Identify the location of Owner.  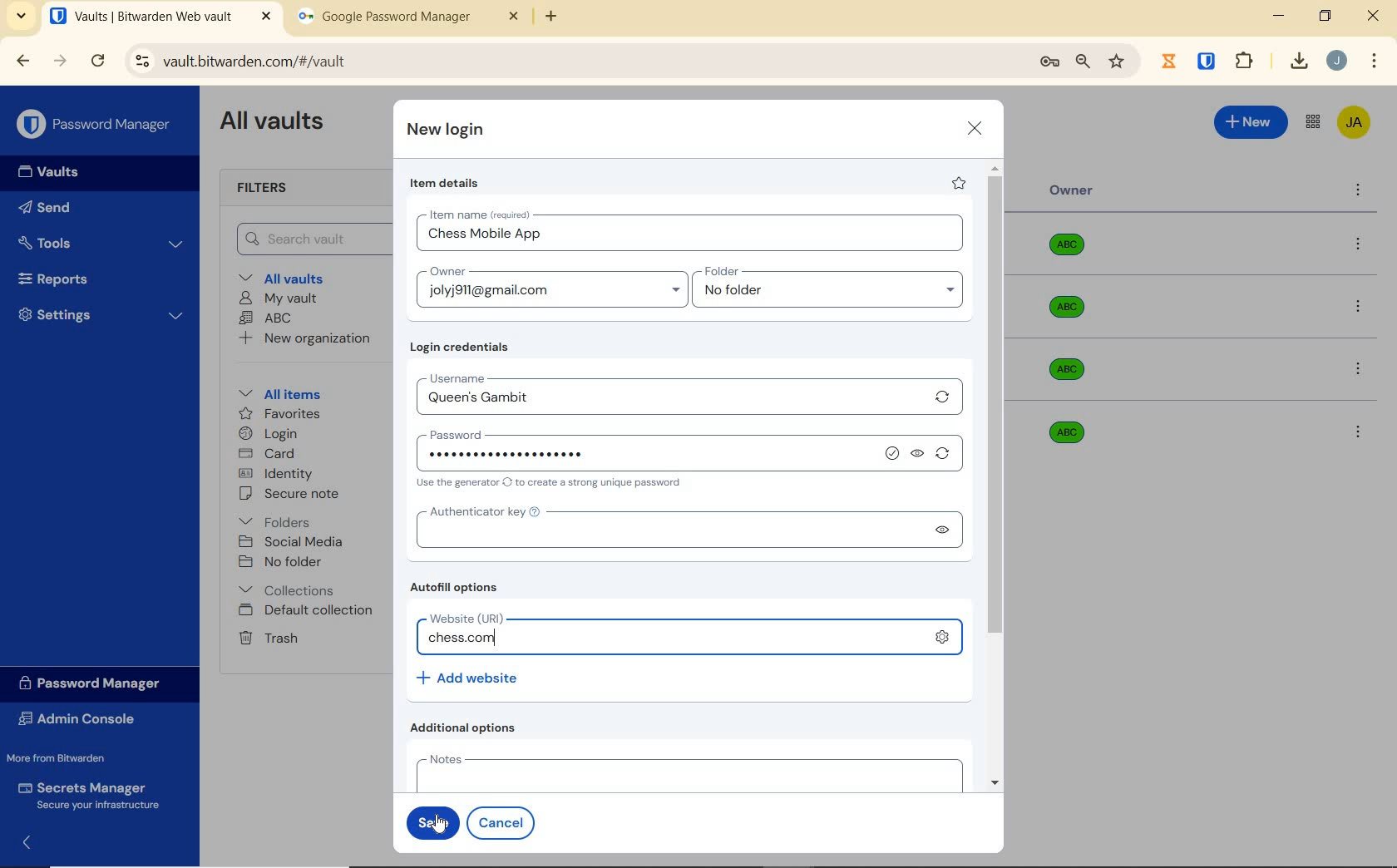
(1072, 190).